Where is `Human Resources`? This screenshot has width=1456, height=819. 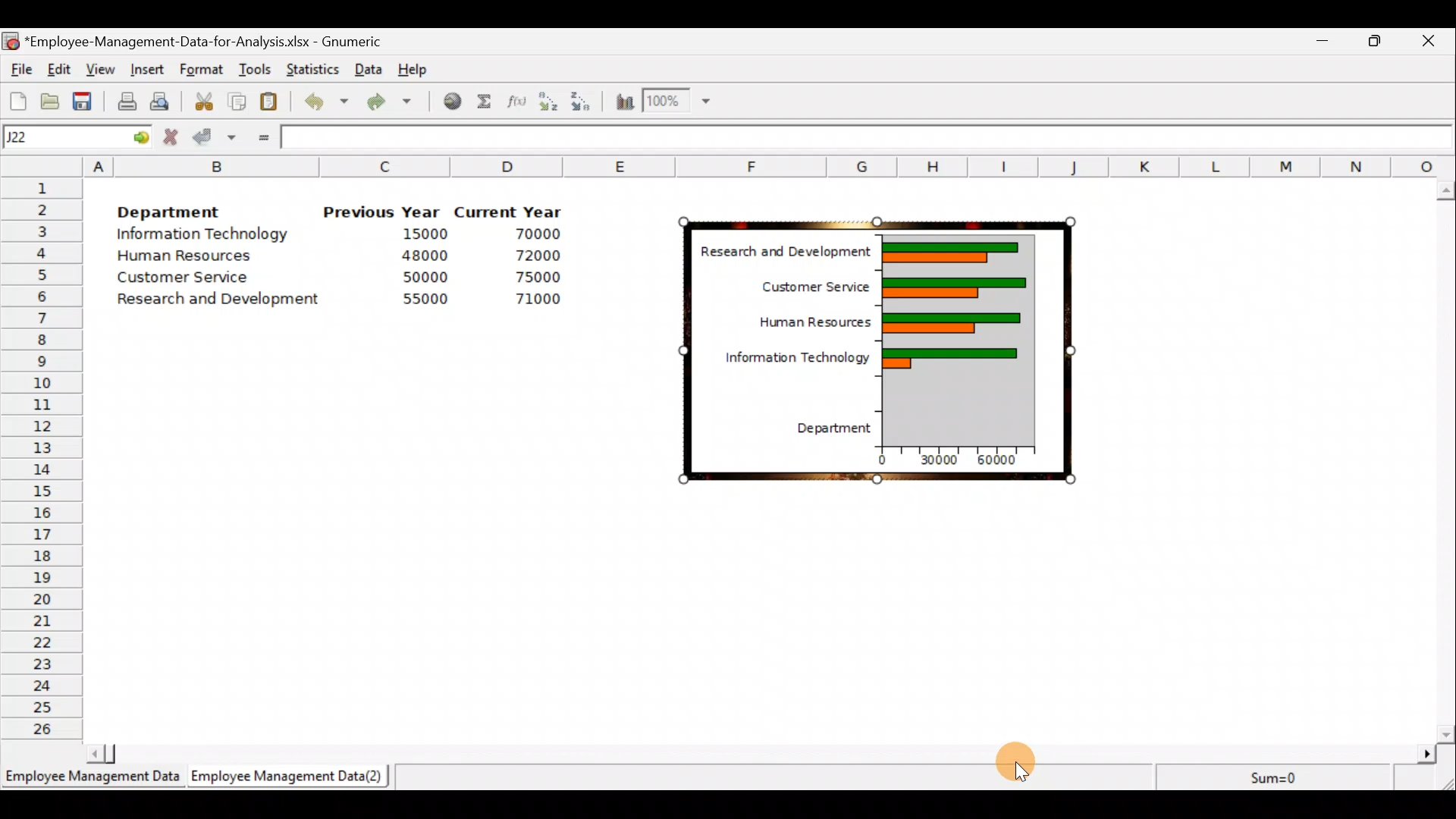
Human Resources is located at coordinates (797, 318).